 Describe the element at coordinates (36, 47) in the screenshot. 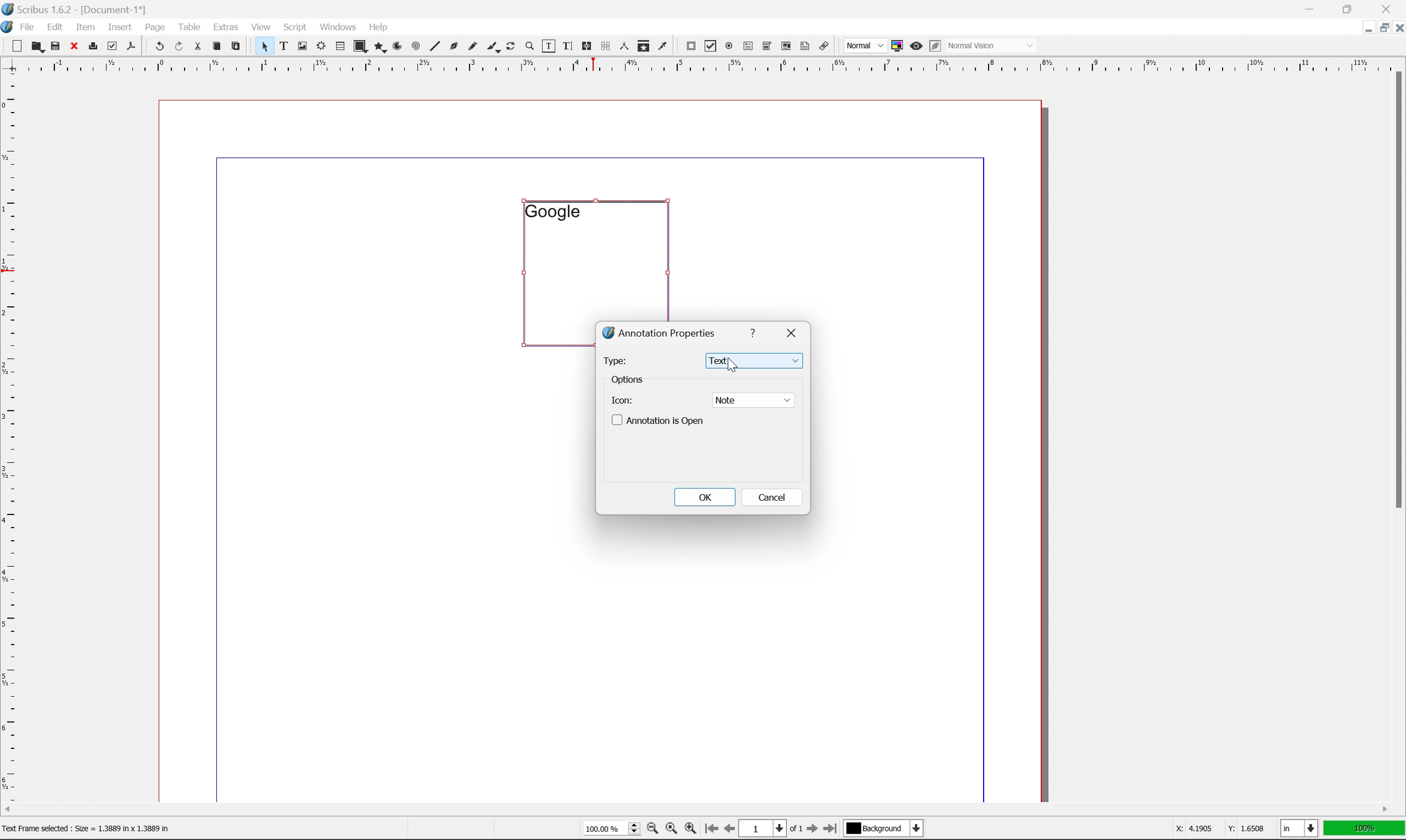

I see `open` at that location.